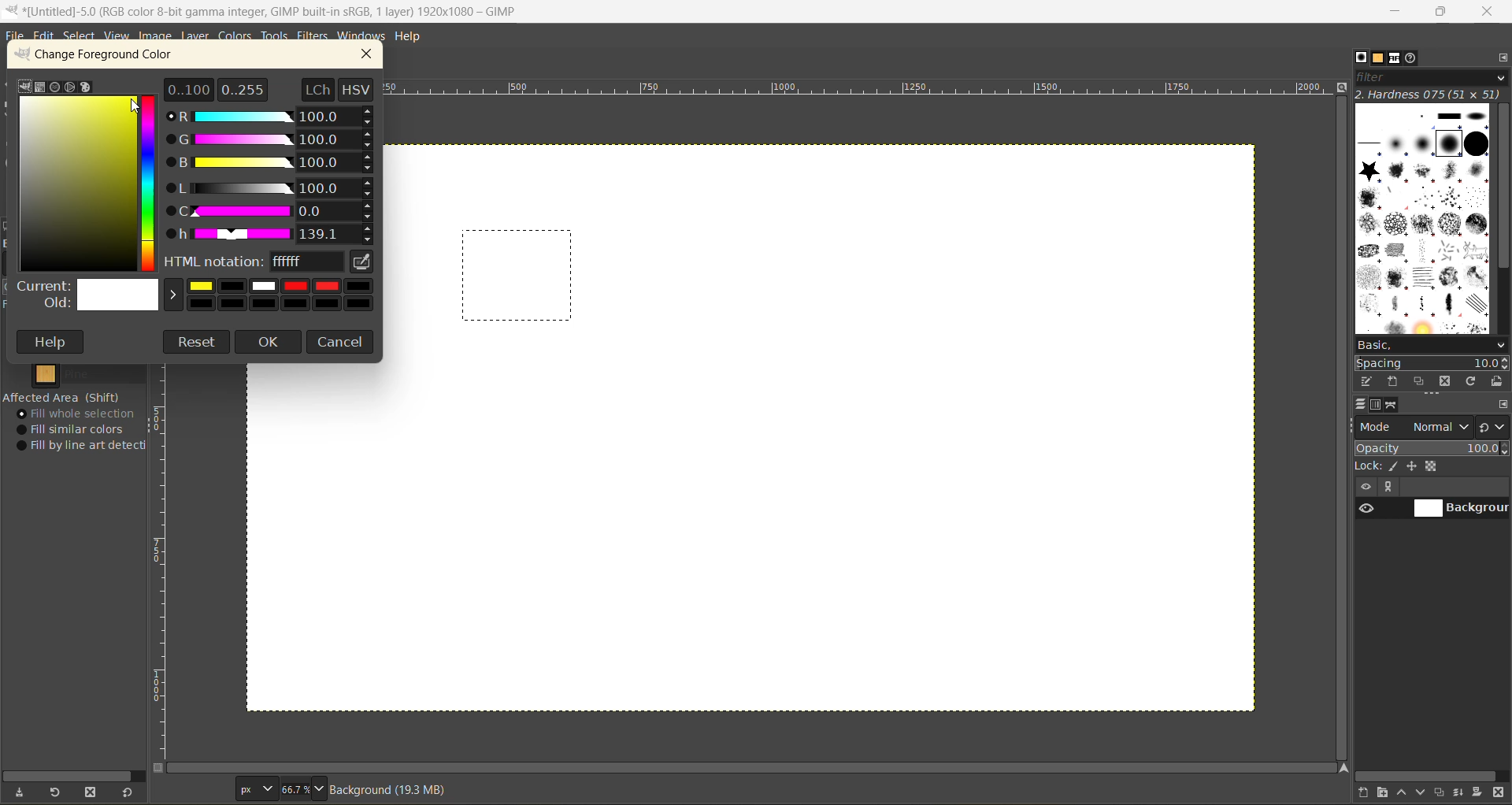 The height and width of the screenshot is (805, 1512). I want to click on windows, so click(363, 36).